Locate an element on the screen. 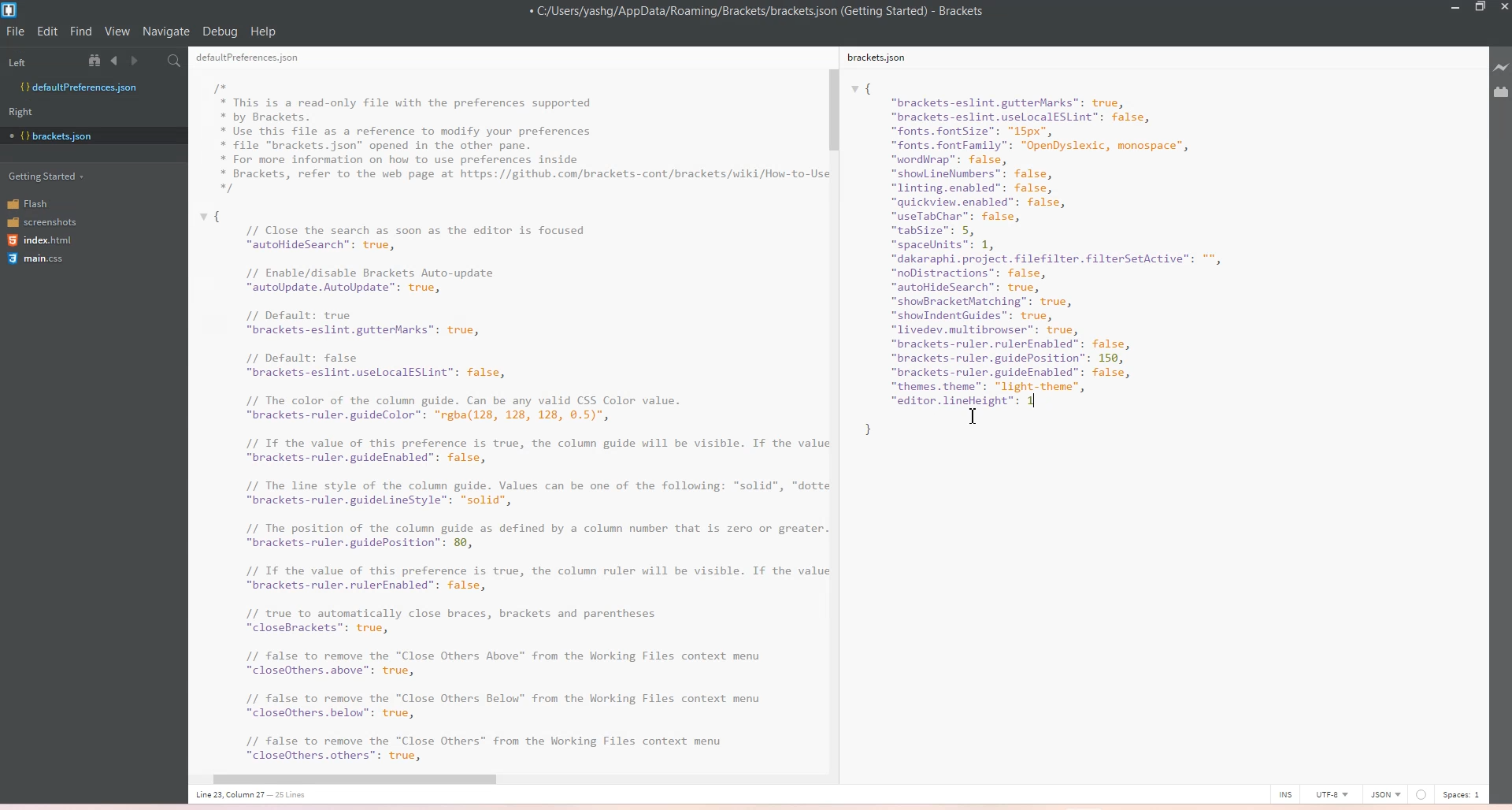 The height and width of the screenshot is (810, 1512). Show in file tree is located at coordinates (98, 60).